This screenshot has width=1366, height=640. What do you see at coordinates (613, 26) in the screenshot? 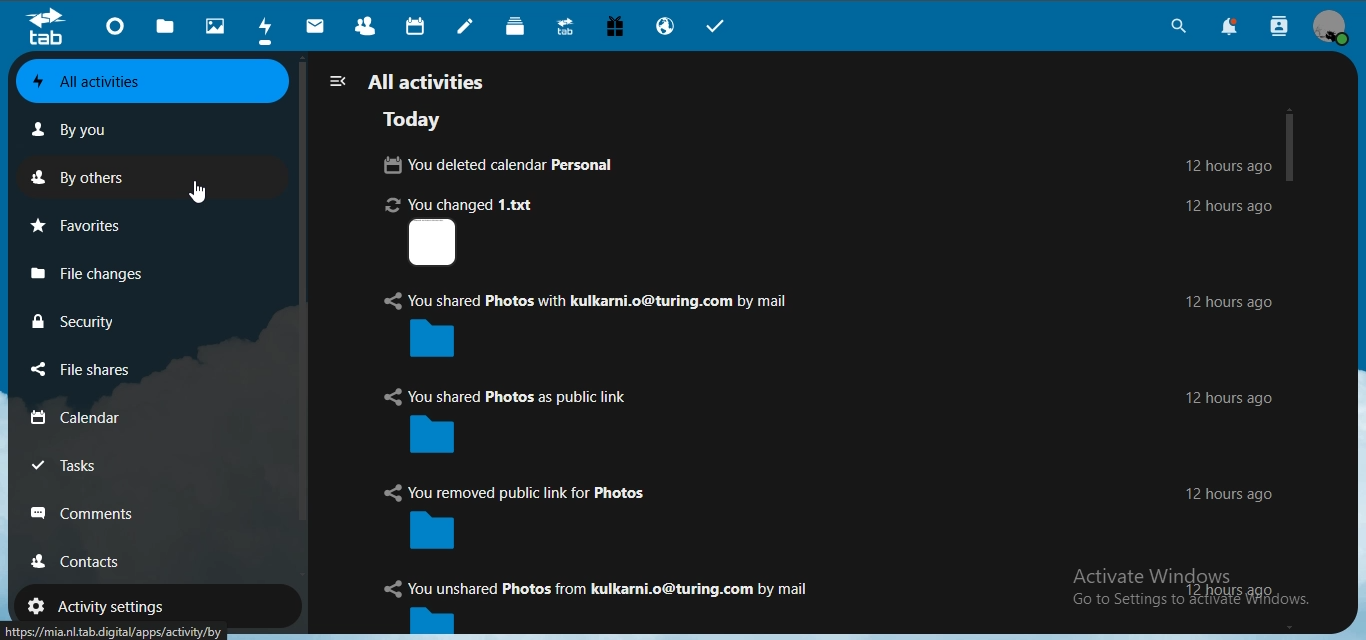
I see `free trial` at bounding box center [613, 26].